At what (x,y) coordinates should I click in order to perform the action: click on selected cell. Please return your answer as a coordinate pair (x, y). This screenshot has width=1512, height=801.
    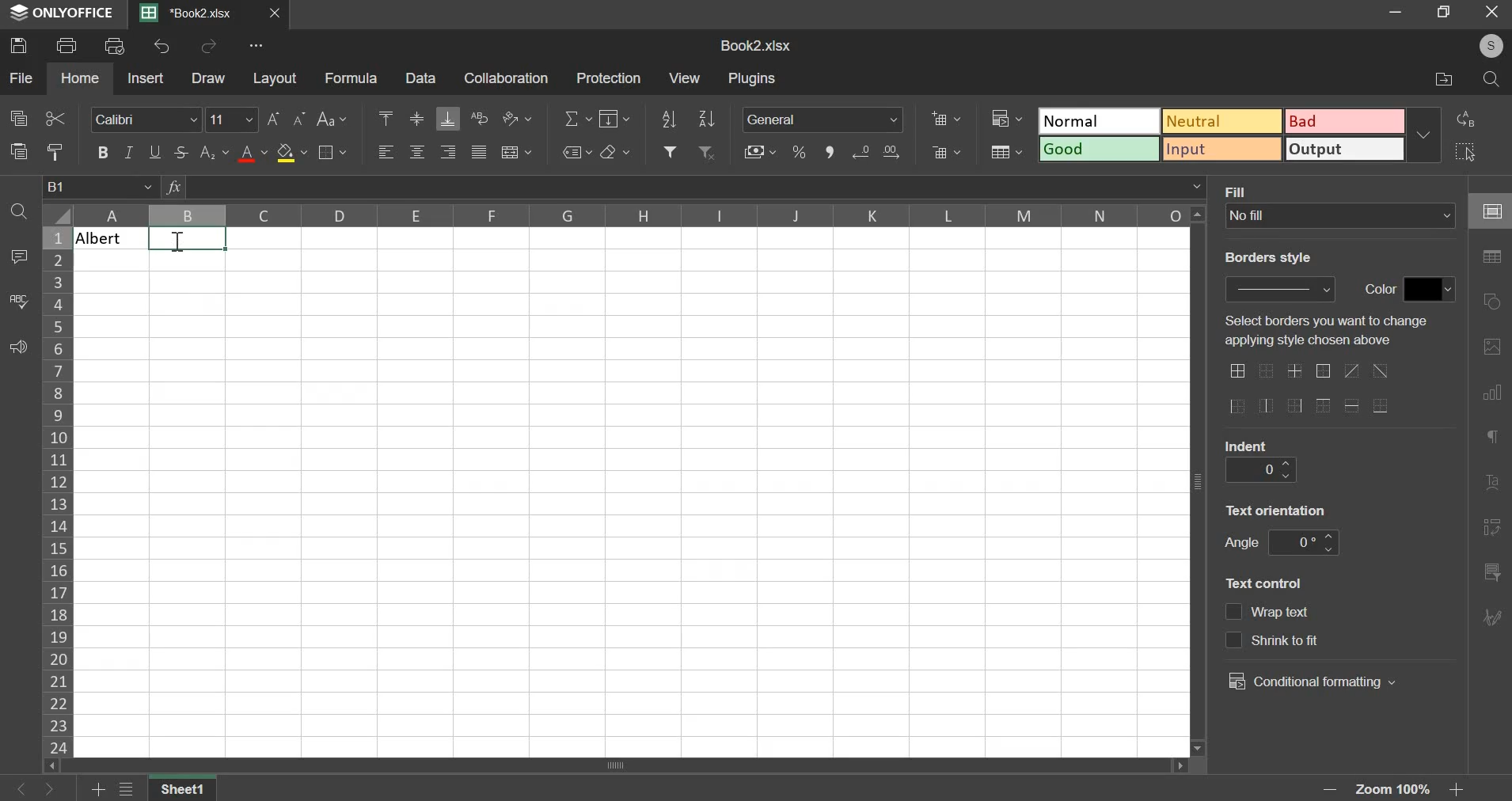
    Looking at the image, I should click on (186, 238).